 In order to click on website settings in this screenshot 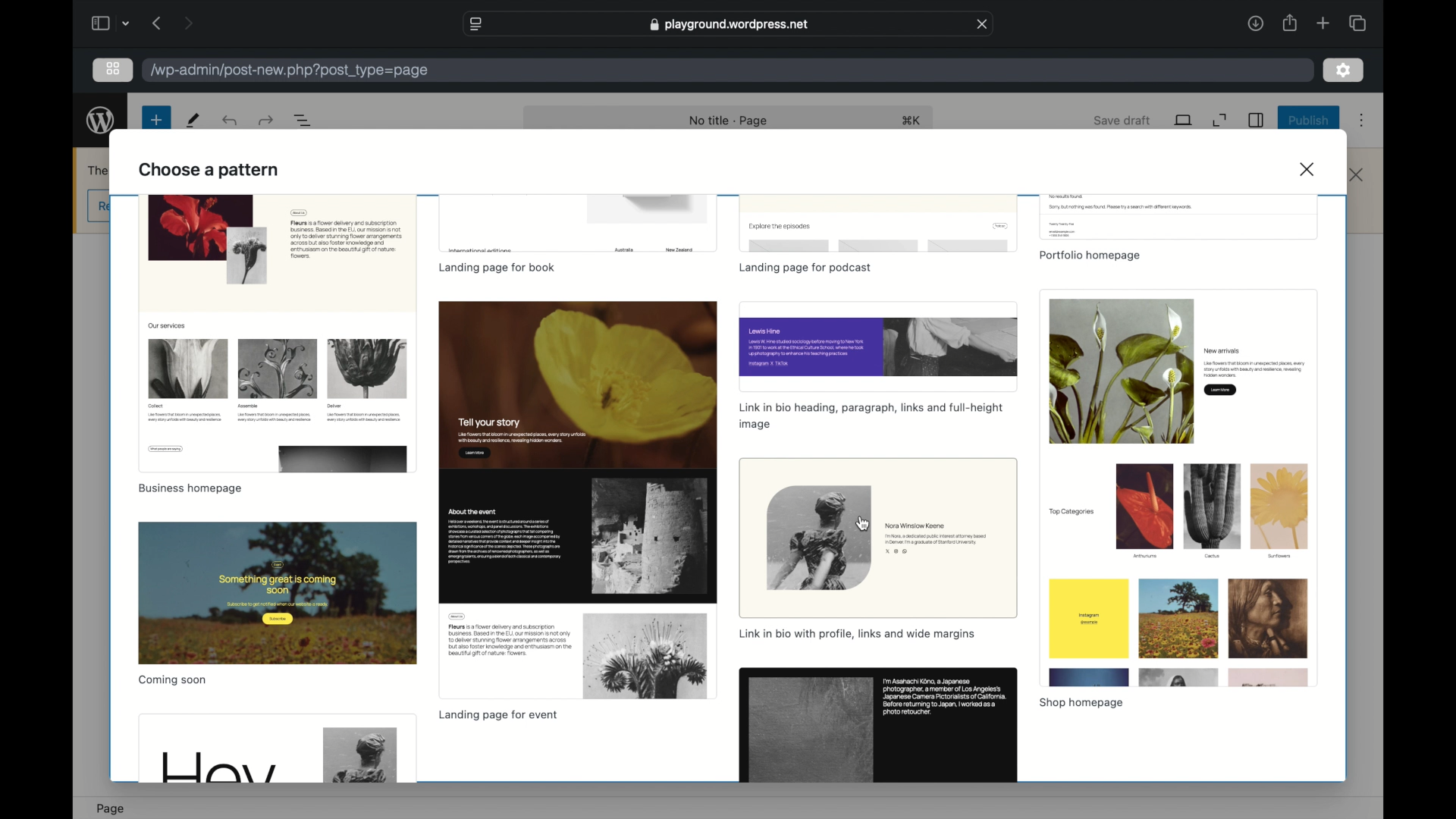, I will do `click(475, 24)`.